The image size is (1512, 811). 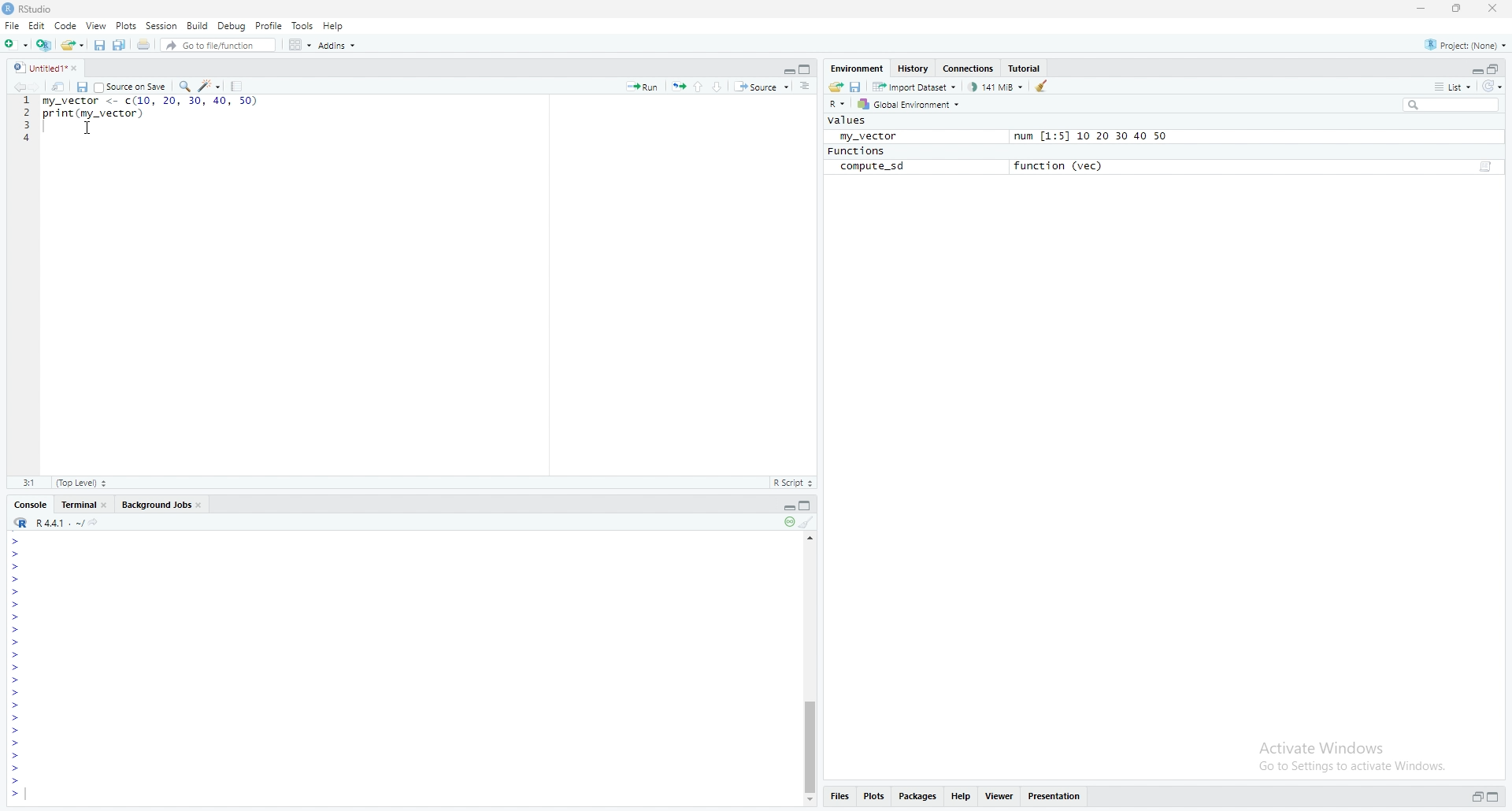 What do you see at coordinates (720, 85) in the screenshot?
I see `Go to next section/Chunk (Ctrl + pdDn)` at bounding box center [720, 85].